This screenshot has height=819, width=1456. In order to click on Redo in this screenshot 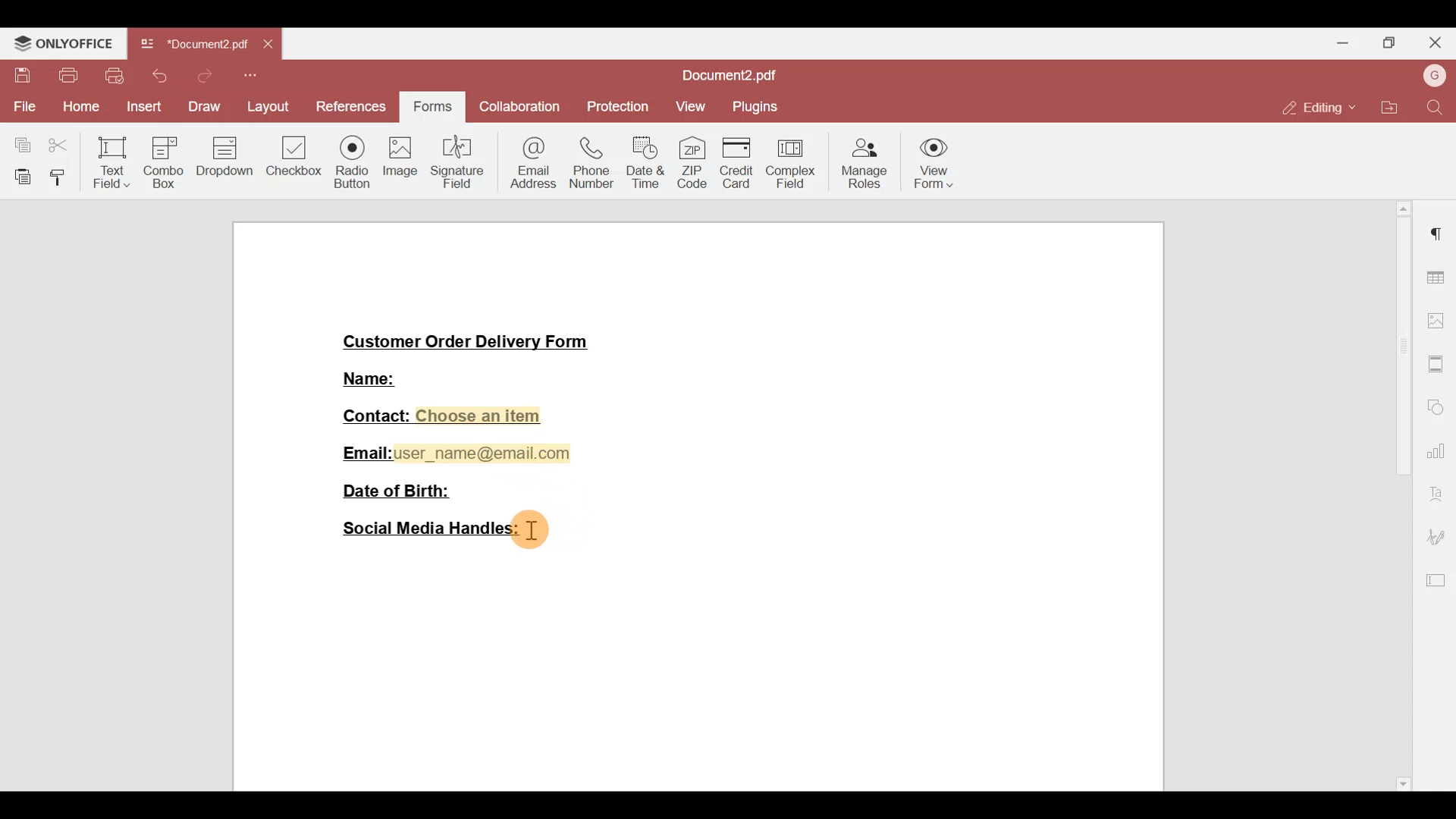, I will do `click(202, 76)`.